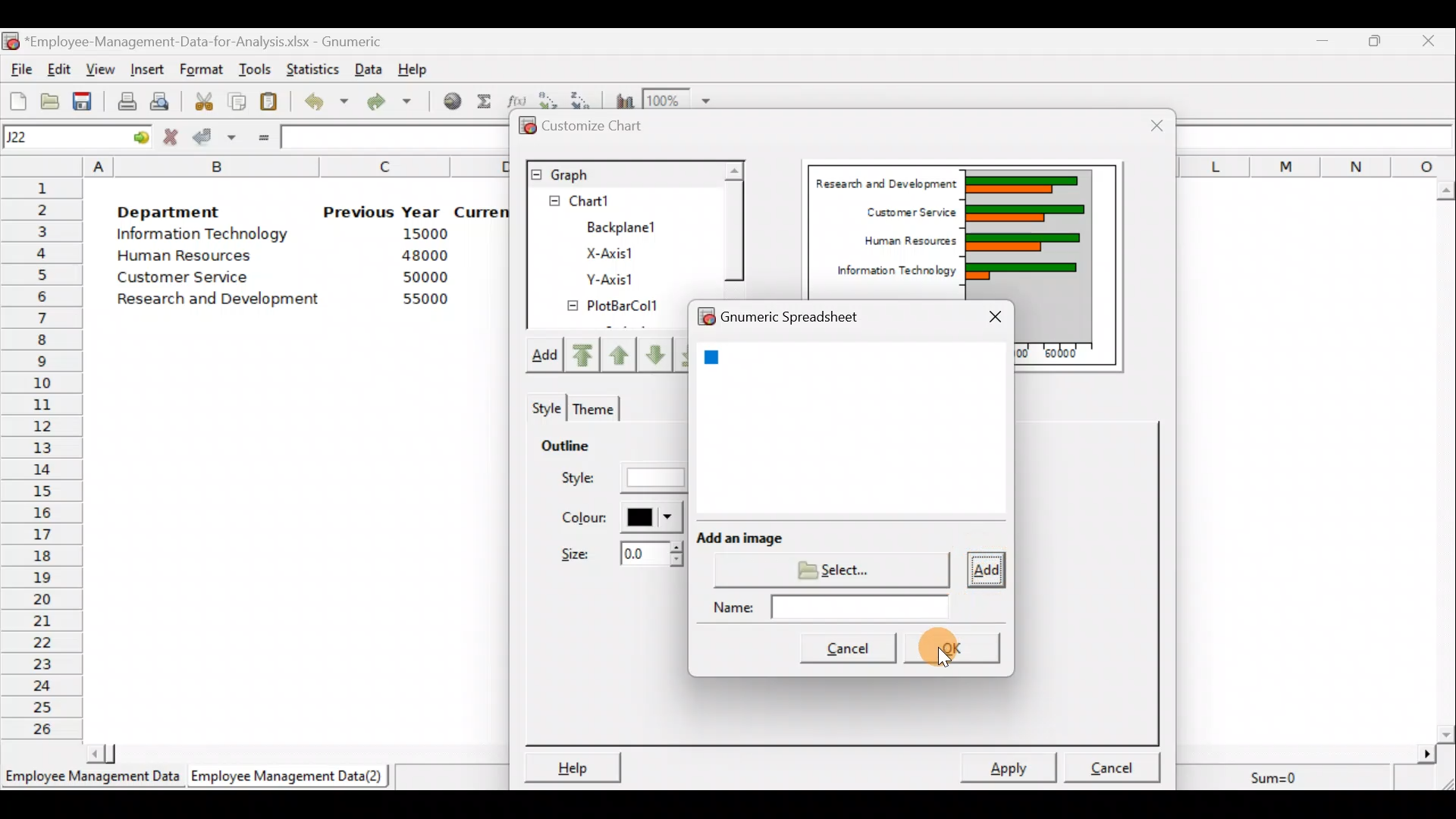 This screenshot has height=819, width=1456. I want to click on OK, so click(952, 644).